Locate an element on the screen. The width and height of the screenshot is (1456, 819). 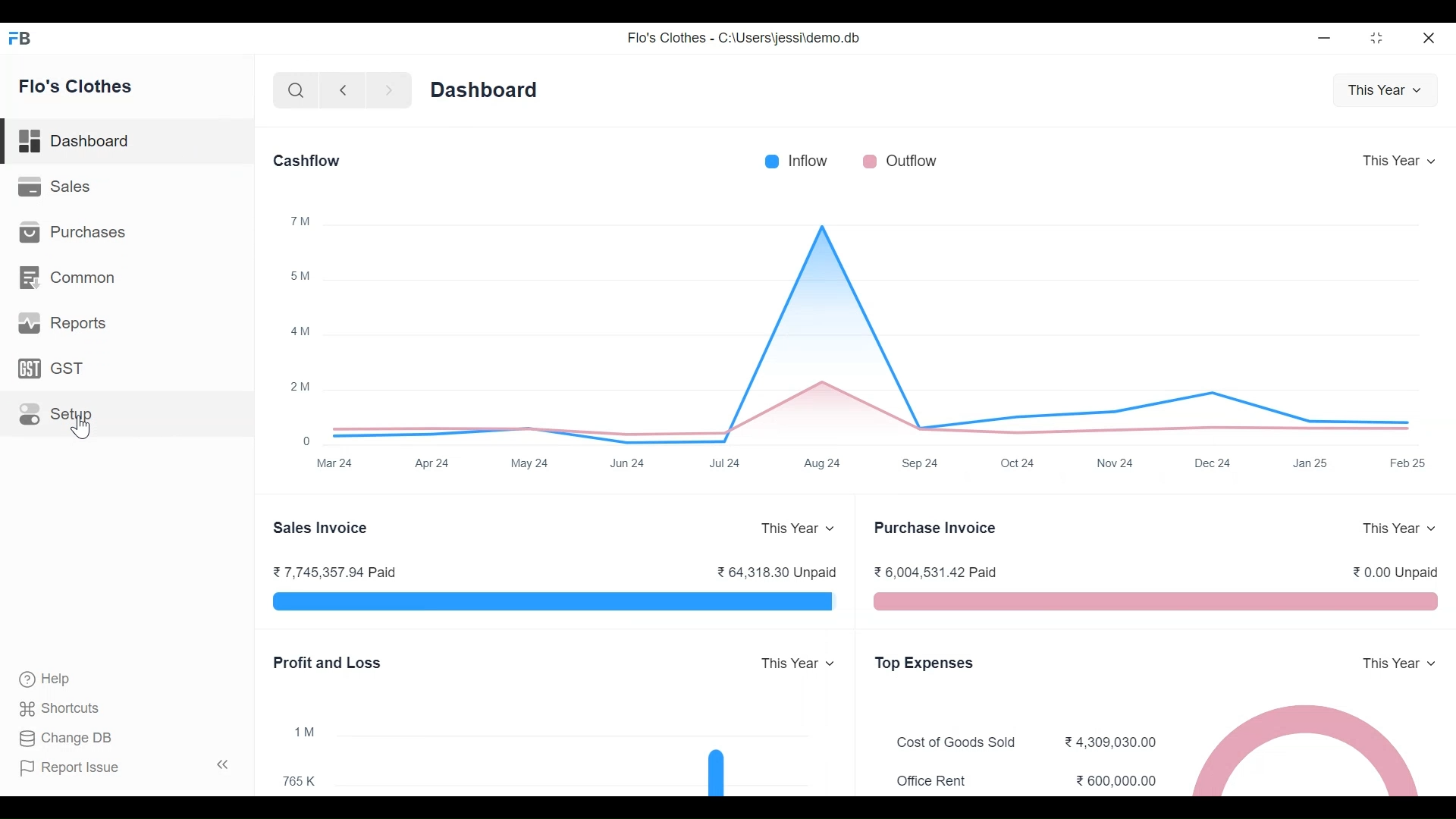
jun 24 is located at coordinates (629, 463).